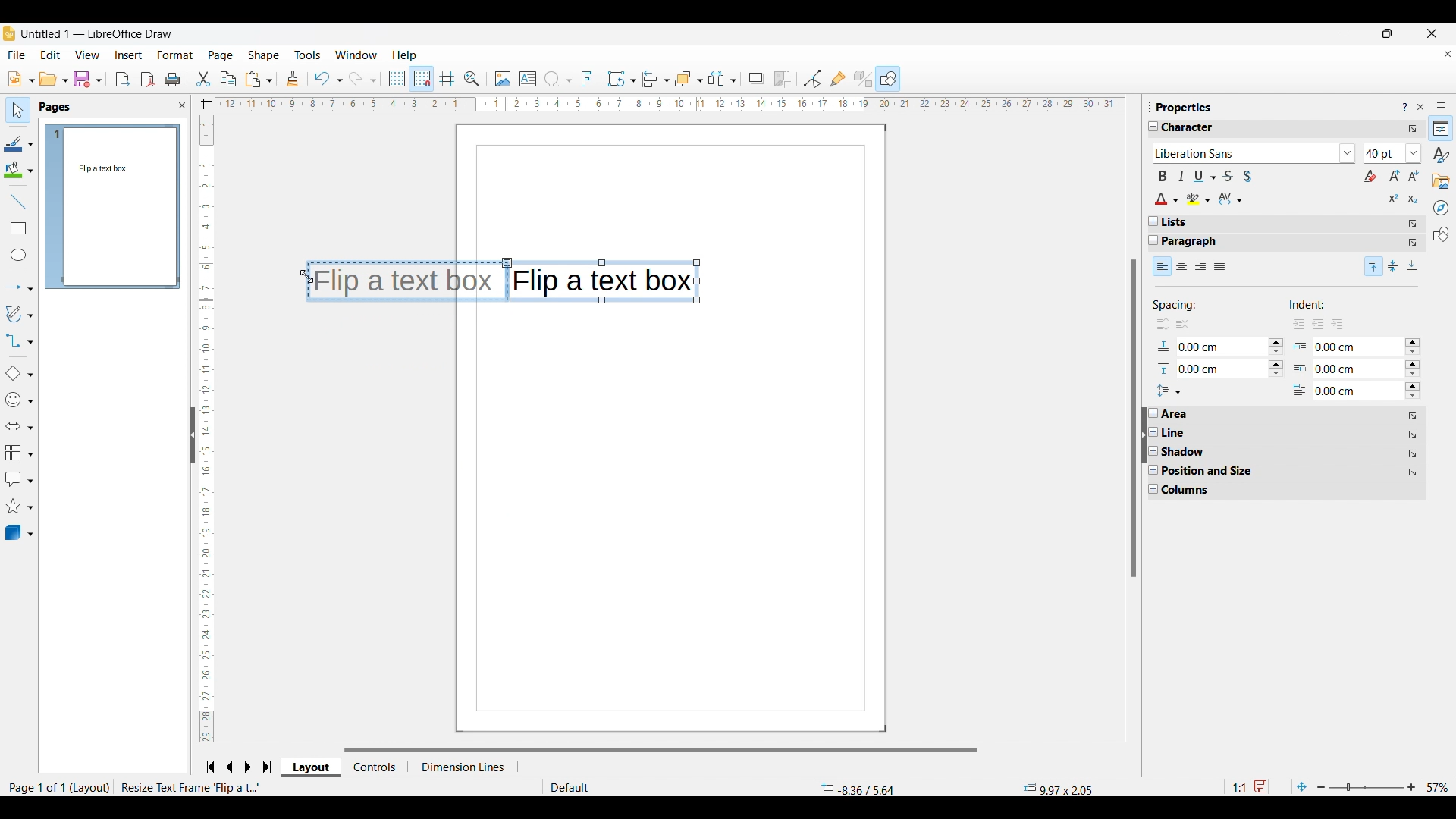 The height and width of the screenshot is (819, 1456). What do you see at coordinates (19, 288) in the screenshot?
I see `Lines and arrow options` at bounding box center [19, 288].